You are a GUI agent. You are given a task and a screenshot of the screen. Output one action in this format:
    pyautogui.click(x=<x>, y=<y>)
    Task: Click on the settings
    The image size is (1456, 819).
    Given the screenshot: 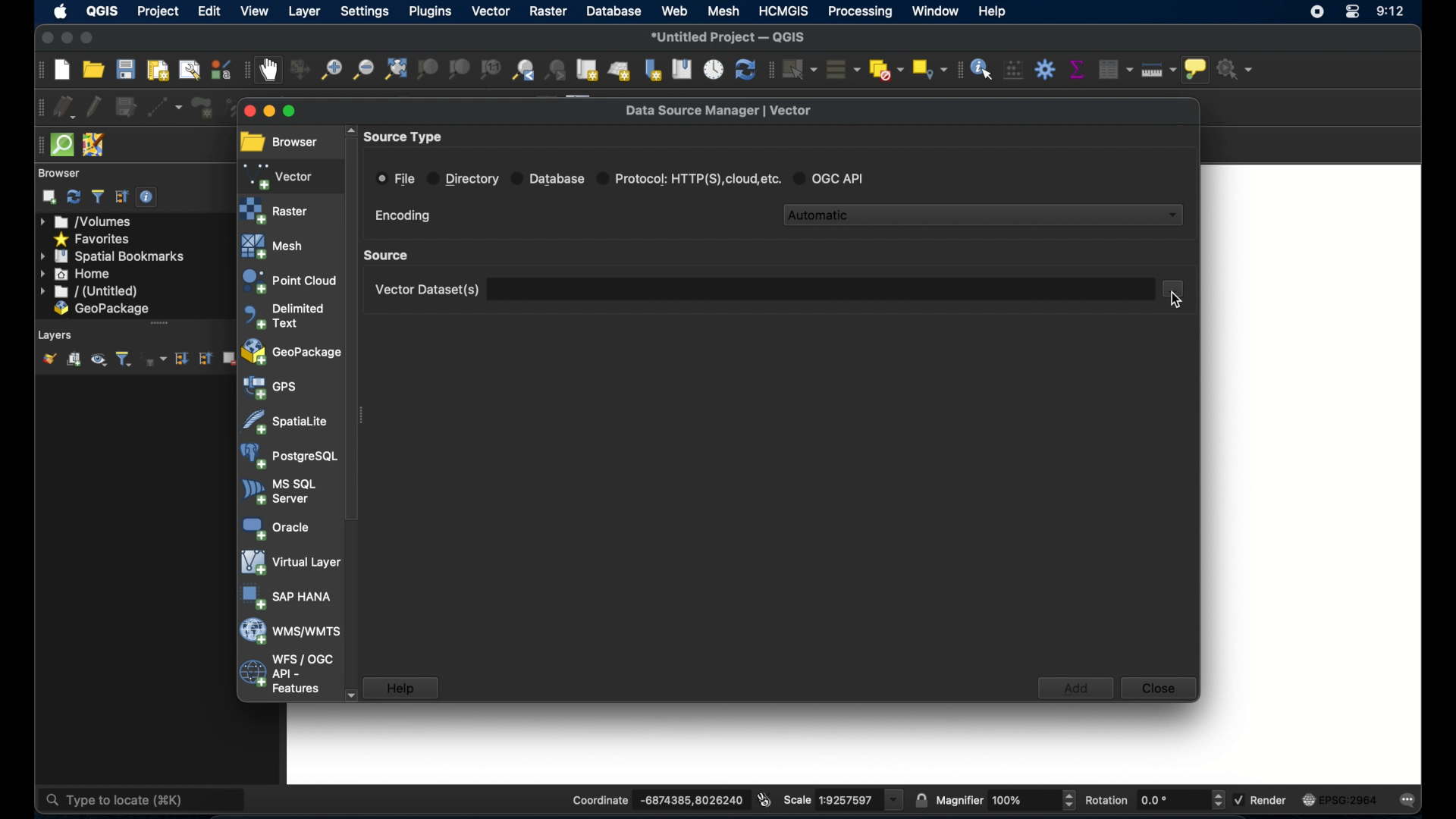 What is the action you would take?
    pyautogui.click(x=363, y=11)
    